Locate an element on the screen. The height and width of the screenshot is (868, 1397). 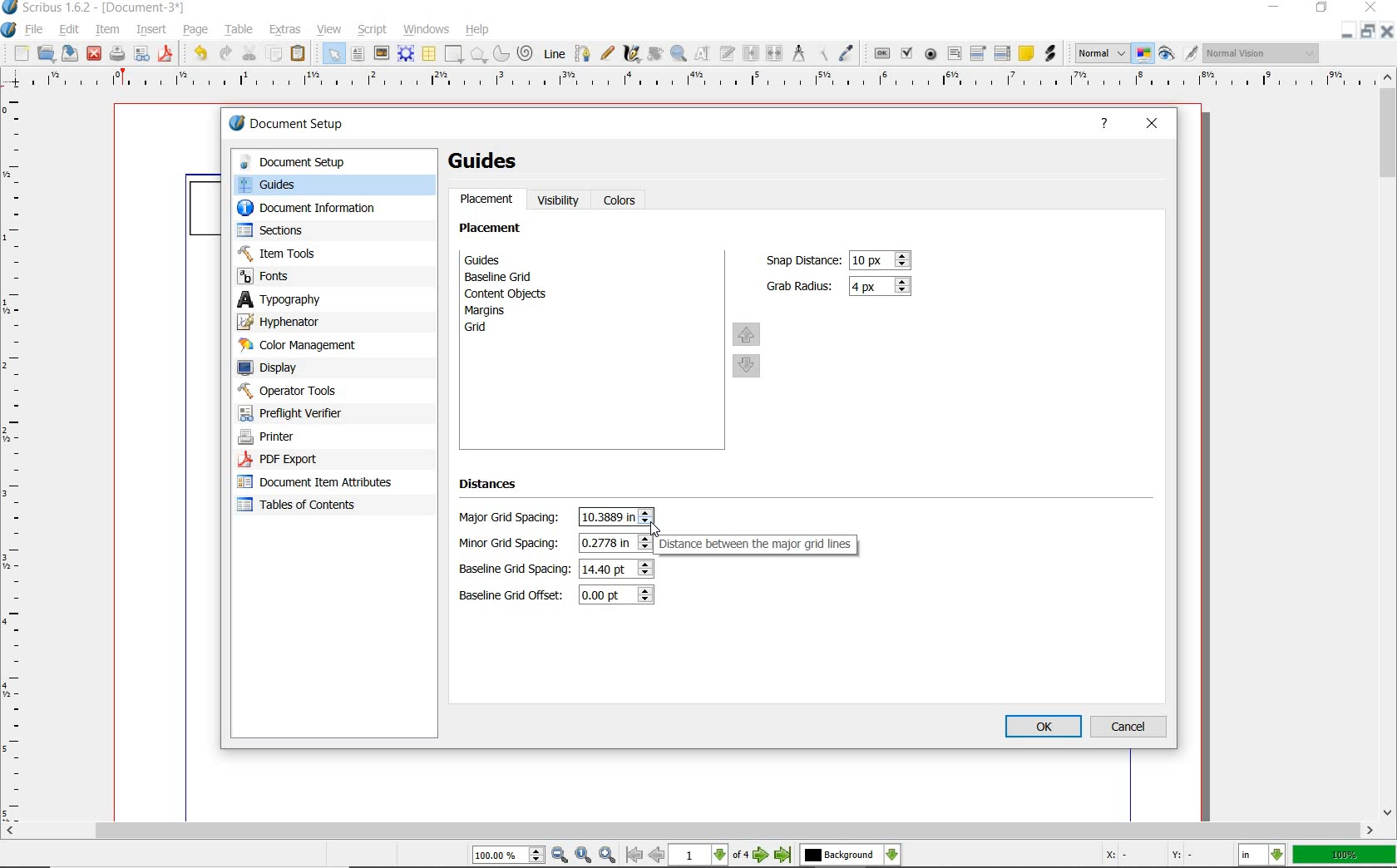
table is located at coordinates (429, 55).